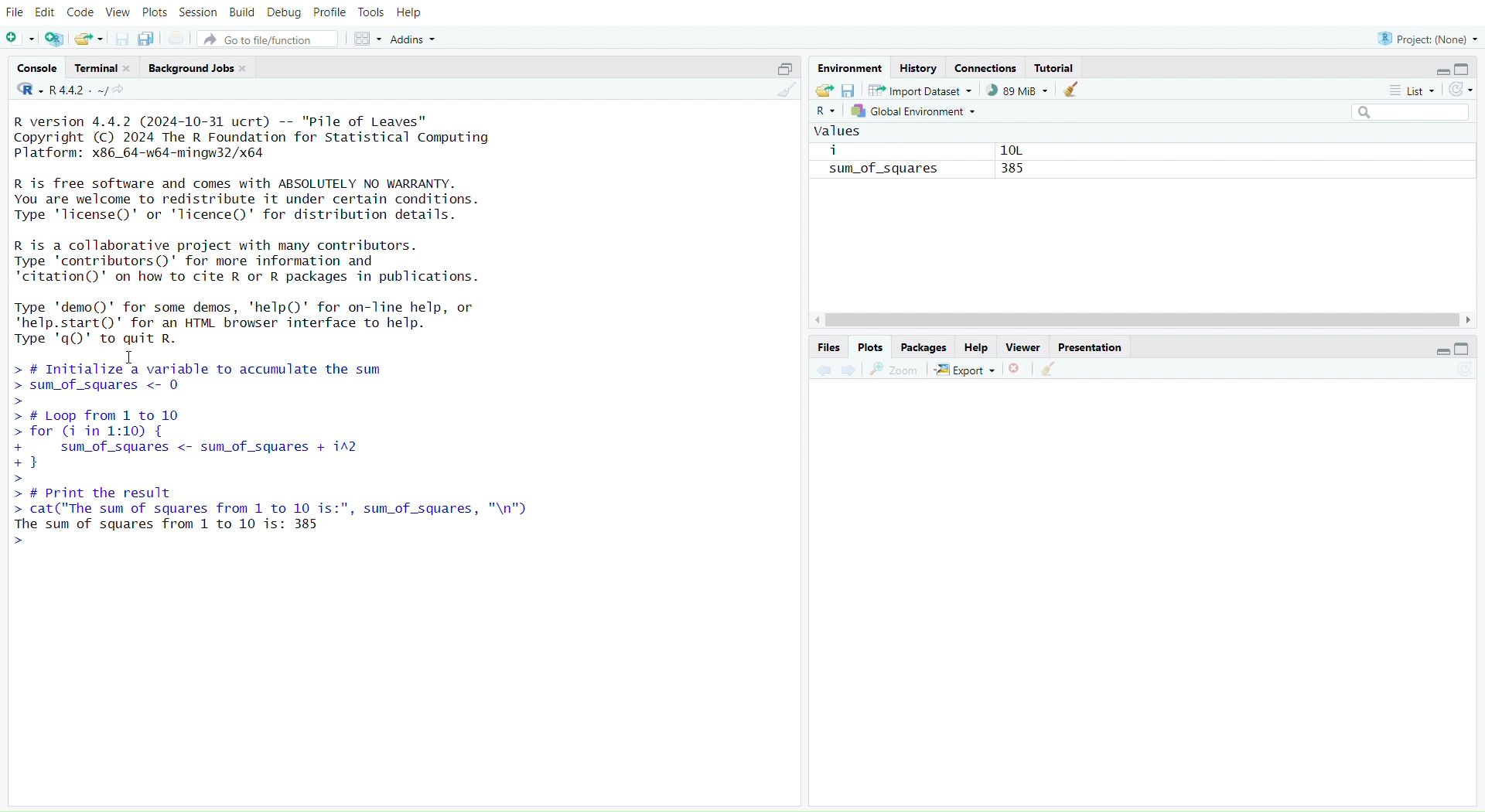  What do you see at coordinates (824, 113) in the screenshot?
I see `R` at bounding box center [824, 113].